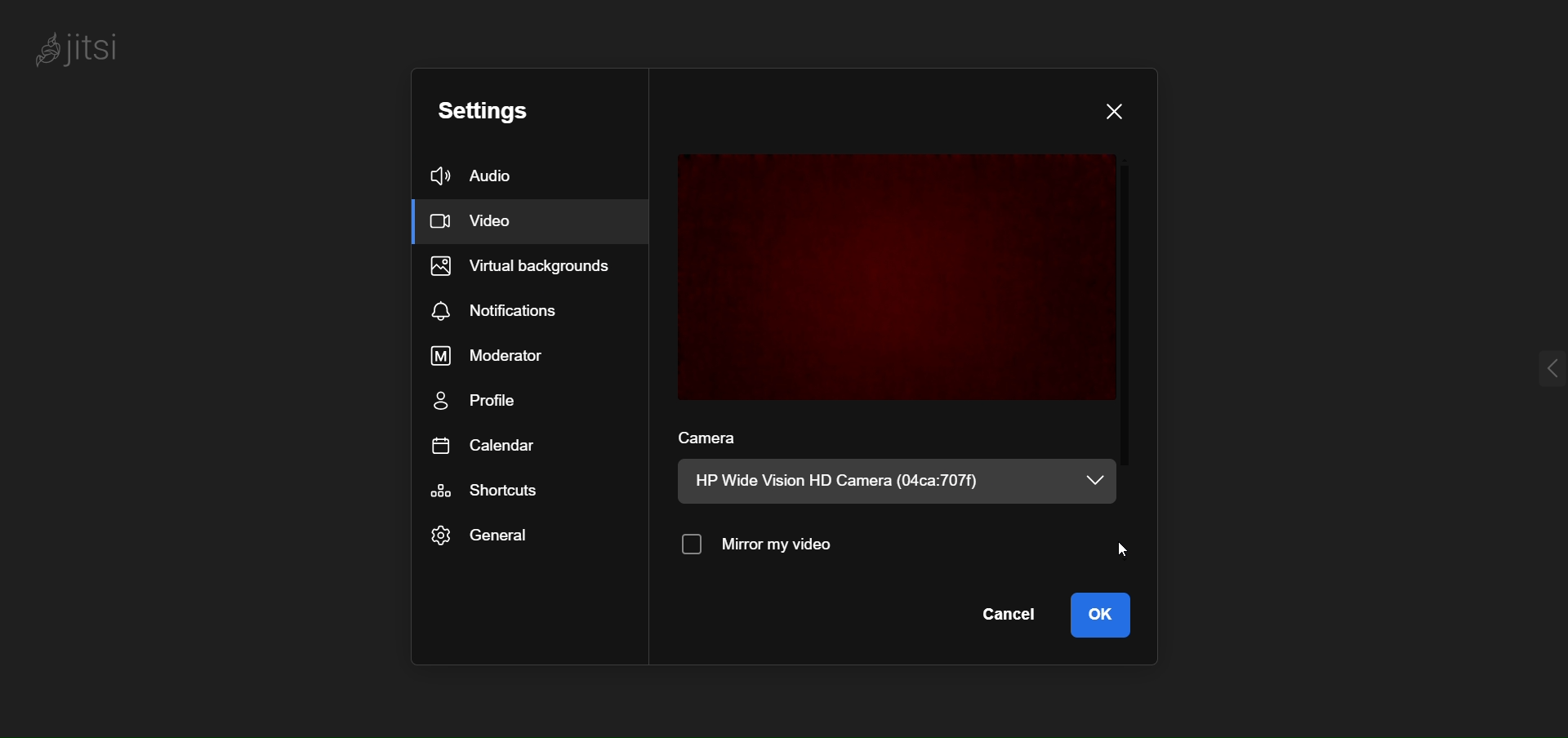 Image resolution: width=1568 pixels, height=738 pixels. Describe the element at coordinates (487, 400) in the screenshot. I see `profile` at that location.